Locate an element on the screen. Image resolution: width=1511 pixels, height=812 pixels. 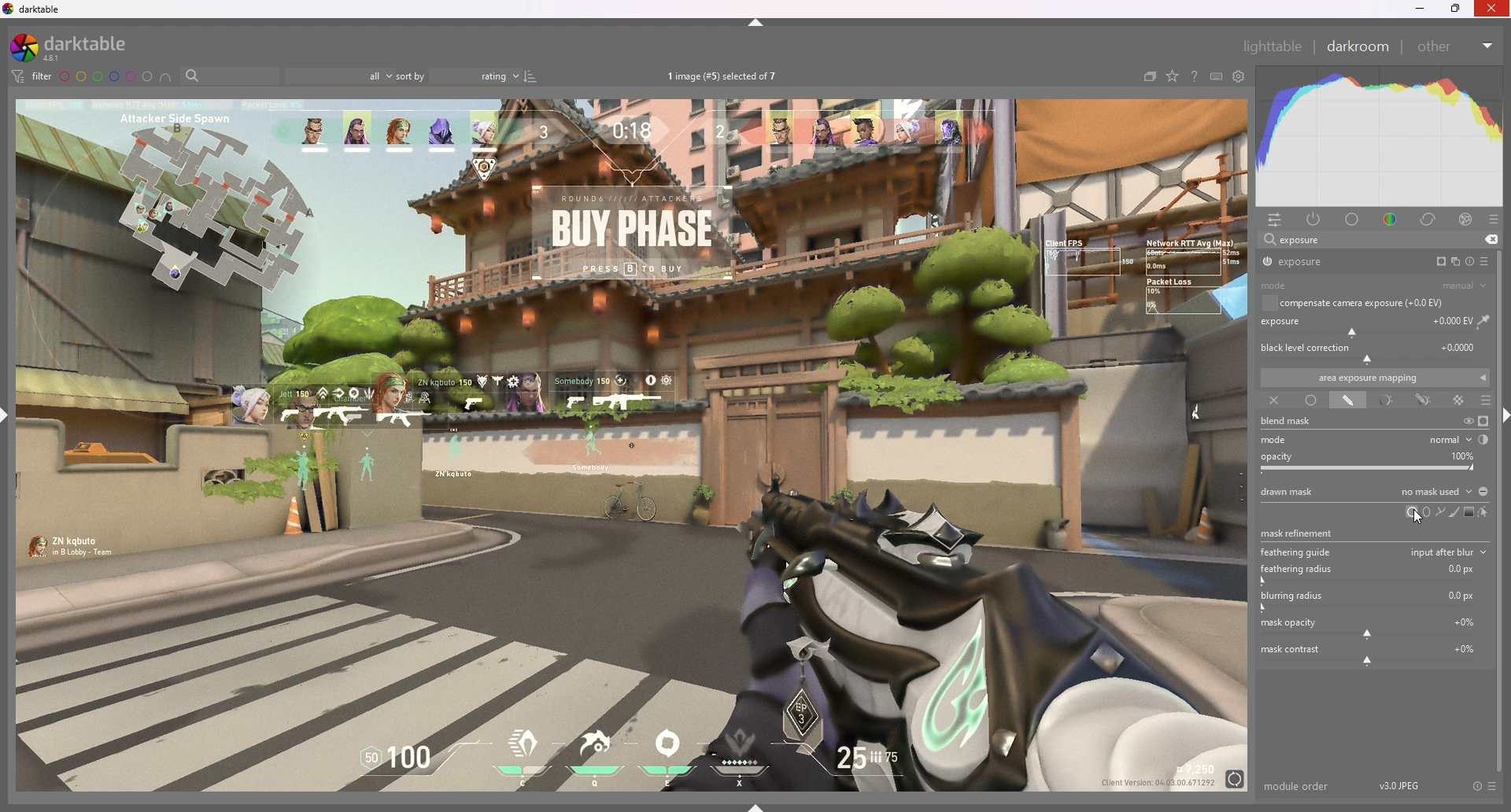
keyboars shortcut is located at coordinates (1215, 76).